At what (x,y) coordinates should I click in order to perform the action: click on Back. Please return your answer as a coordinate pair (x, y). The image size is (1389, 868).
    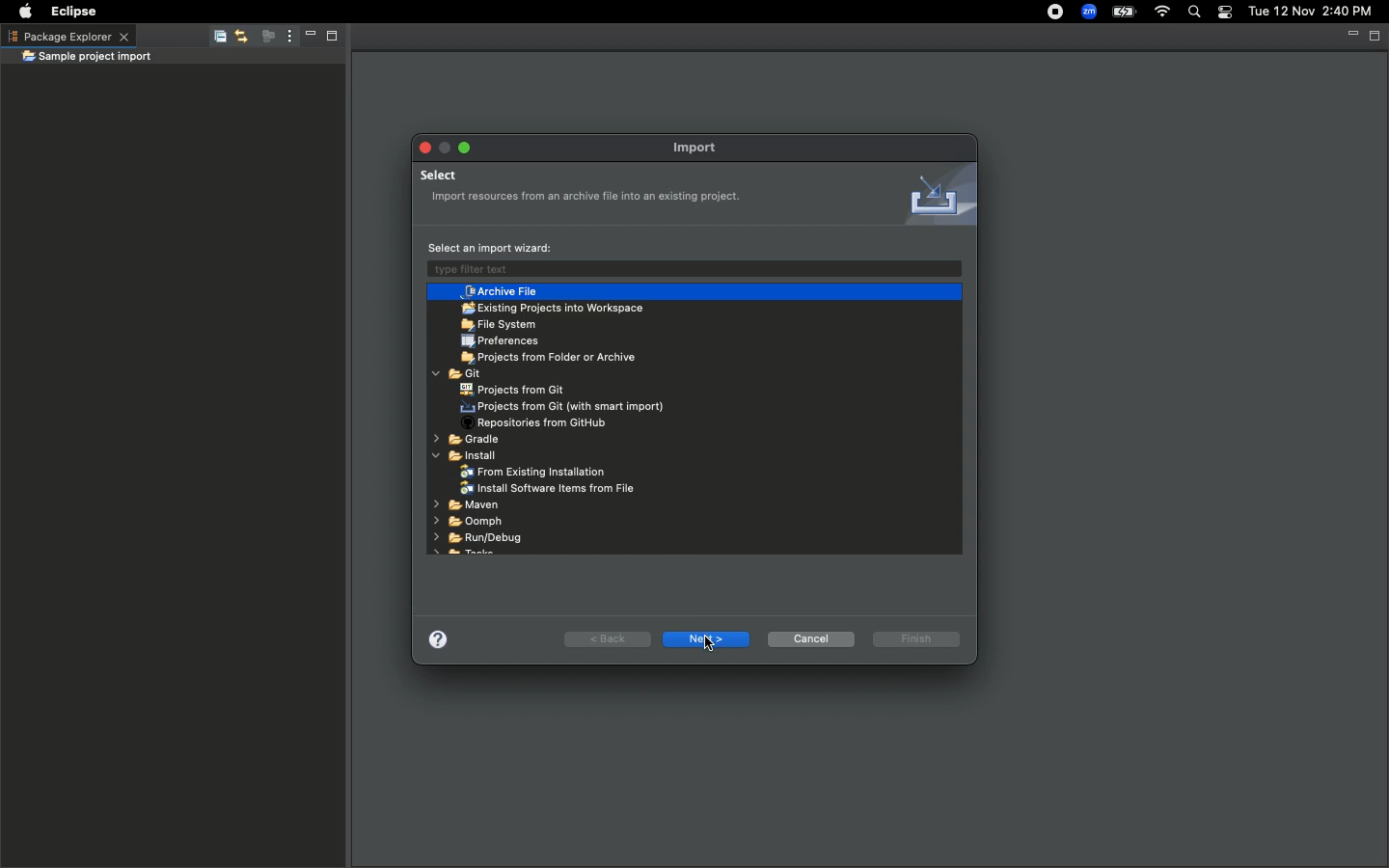
    Looking at the image, I should click on (606, 637).